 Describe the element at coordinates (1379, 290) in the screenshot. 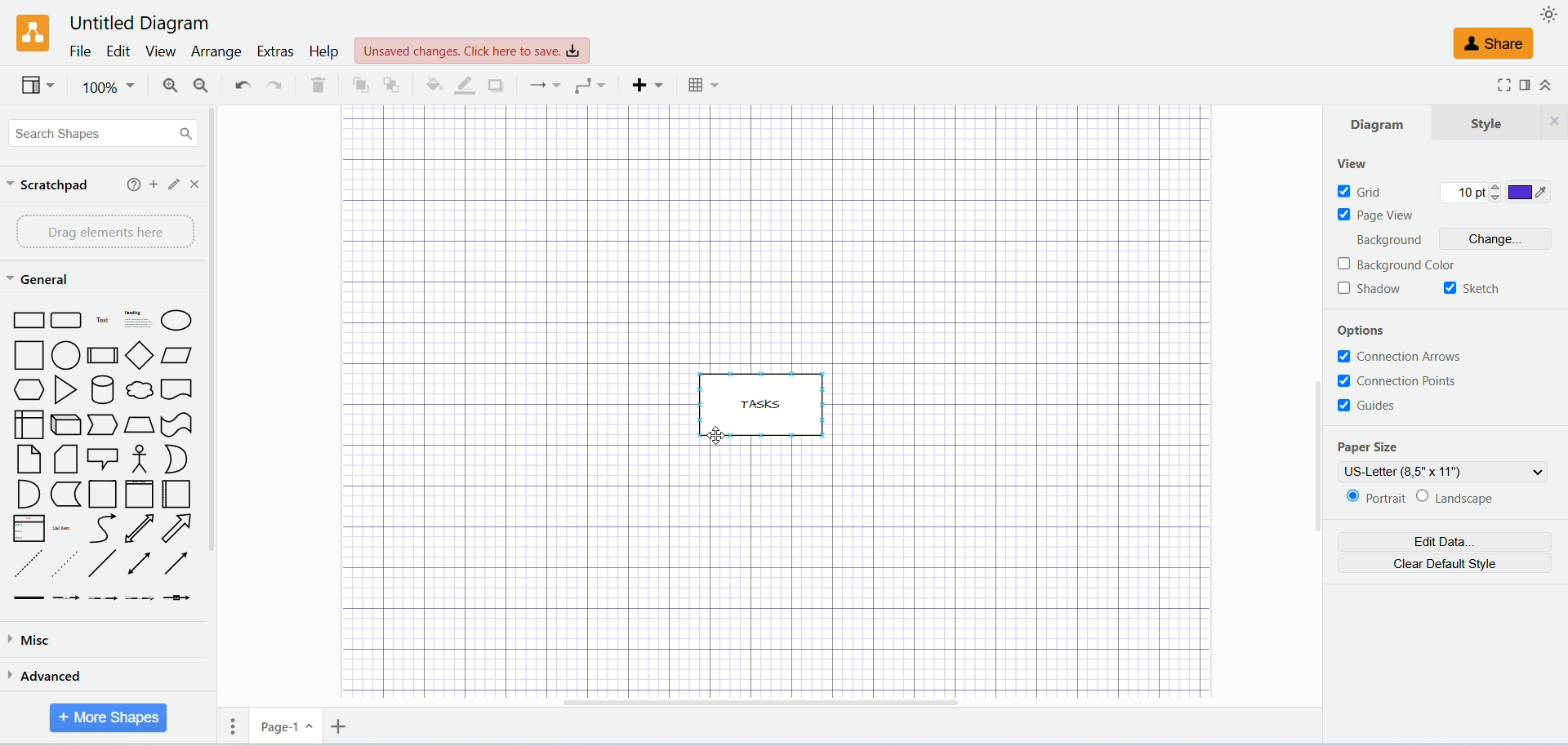

I see `shadow` at that location.